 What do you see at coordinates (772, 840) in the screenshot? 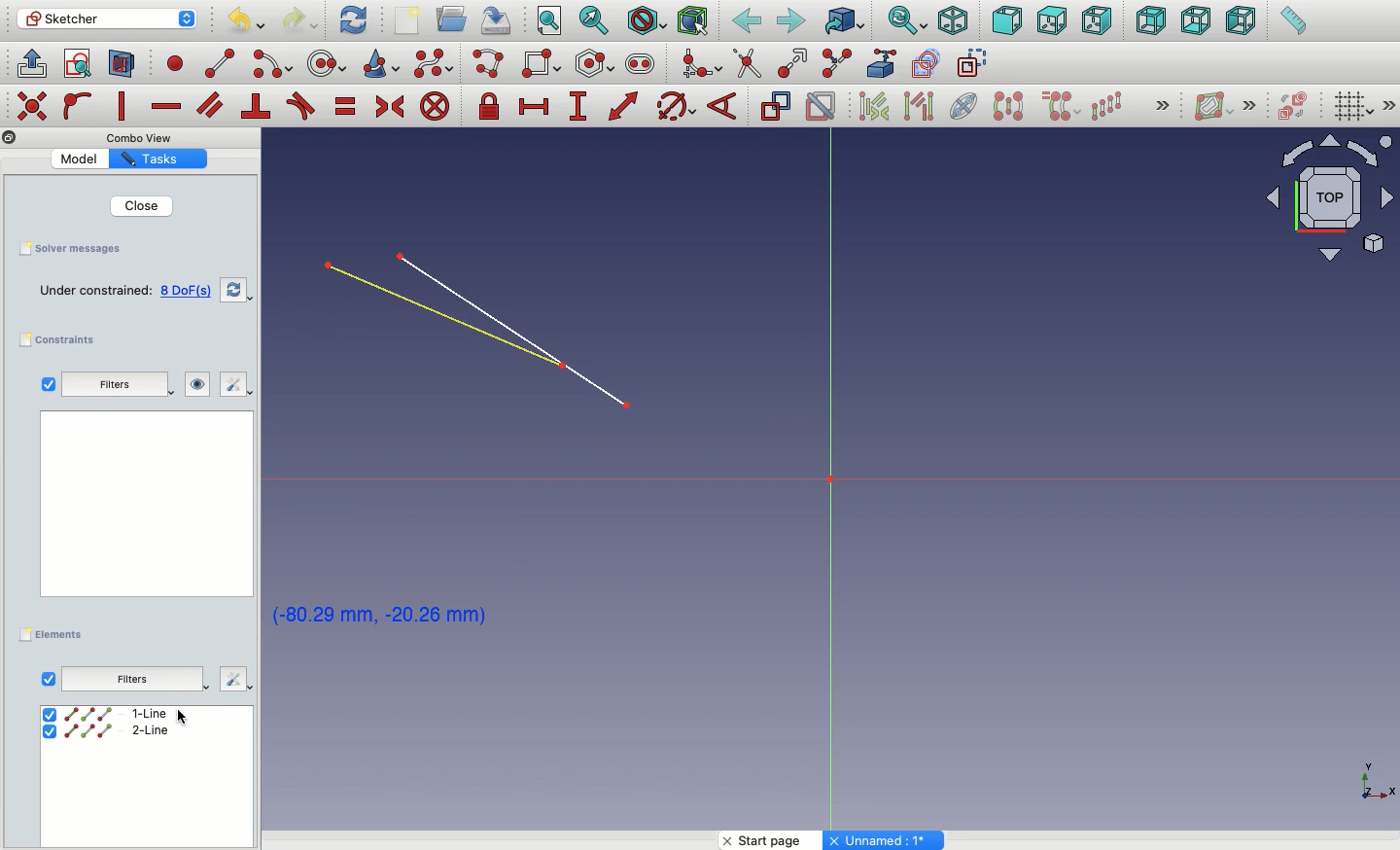
I see `Start page` at bounding box center [772, 840].